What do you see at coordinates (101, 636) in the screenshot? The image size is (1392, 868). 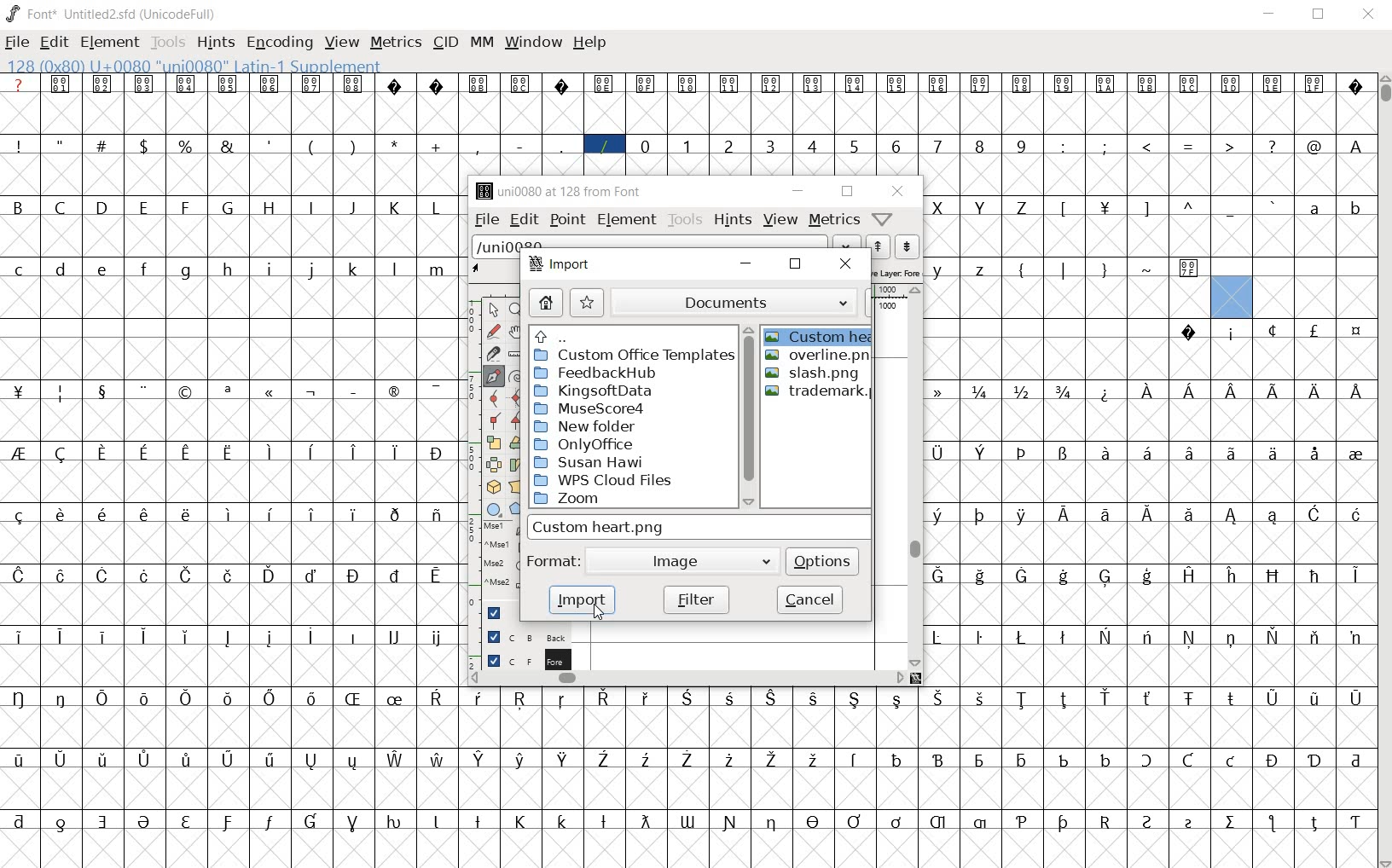 I see `glyph` at bounding box center [101, 636].